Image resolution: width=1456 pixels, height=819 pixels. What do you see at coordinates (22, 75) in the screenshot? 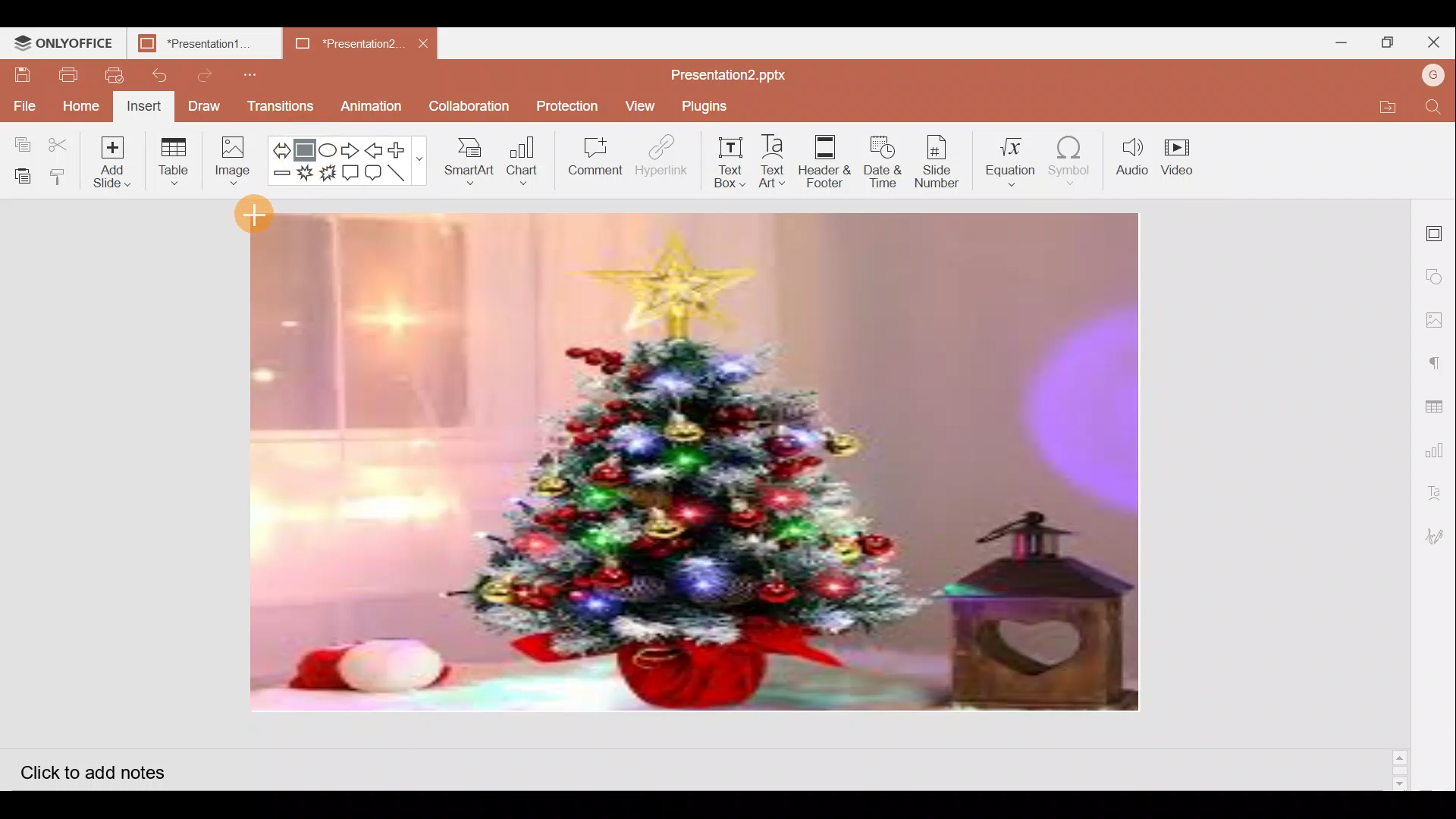
I see `Save` at bounding box center [22, 75].